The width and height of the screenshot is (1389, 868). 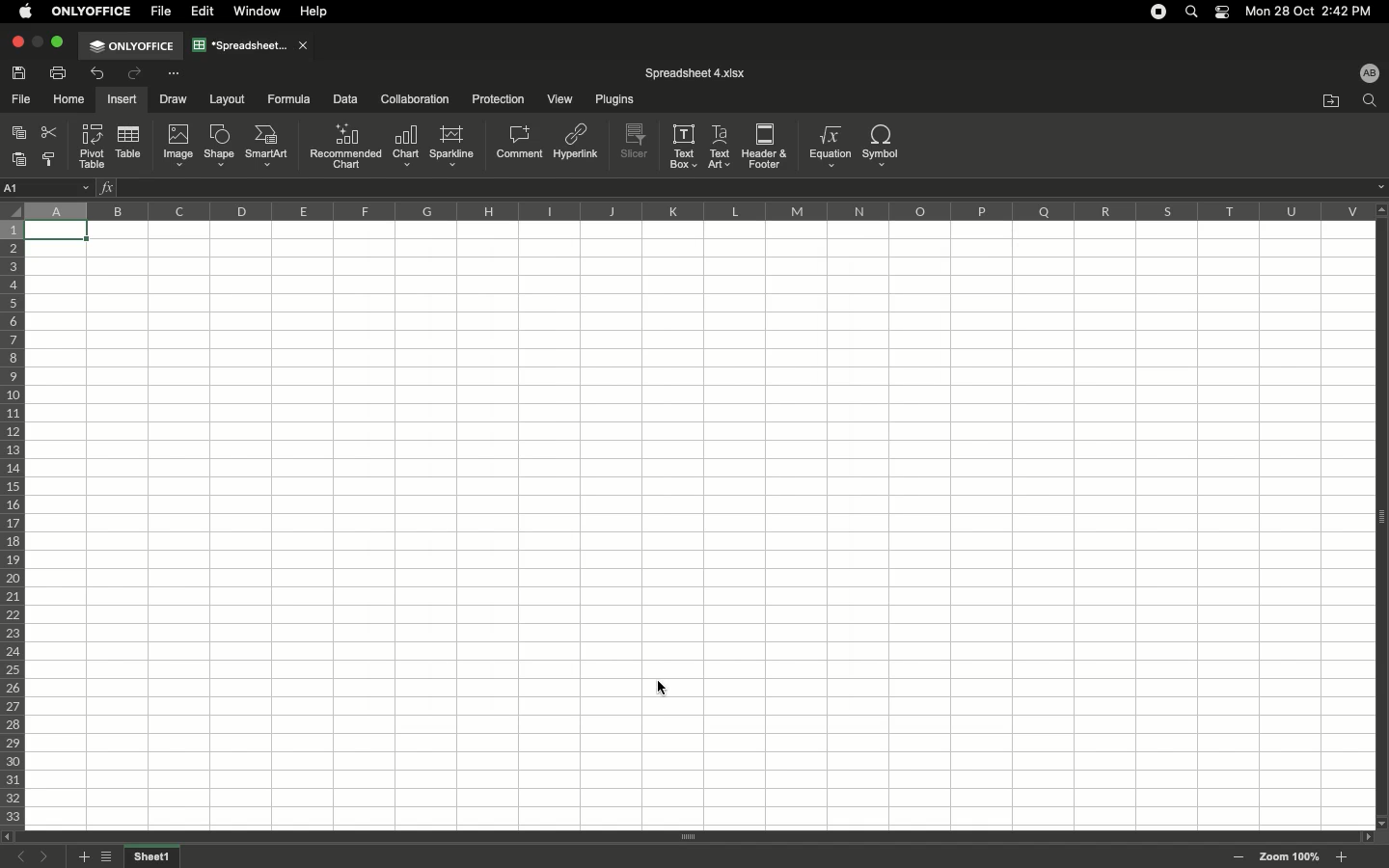 What do you see at coordinates (82, 857) in the screenshot?
I see `Add sheet` at bounding box center [82, 857].